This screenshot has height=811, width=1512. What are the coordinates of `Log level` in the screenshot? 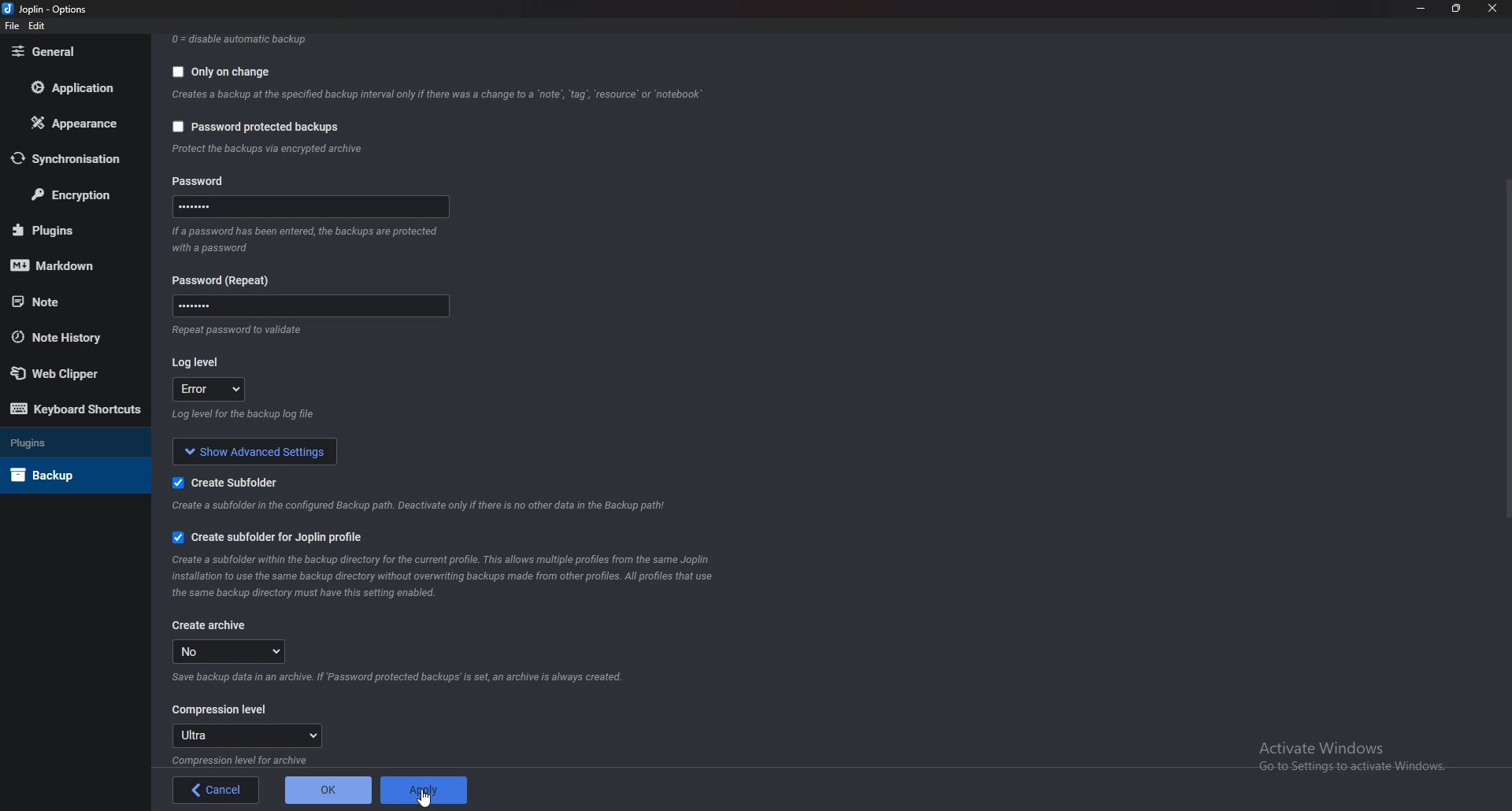 It's located at (200, 362).